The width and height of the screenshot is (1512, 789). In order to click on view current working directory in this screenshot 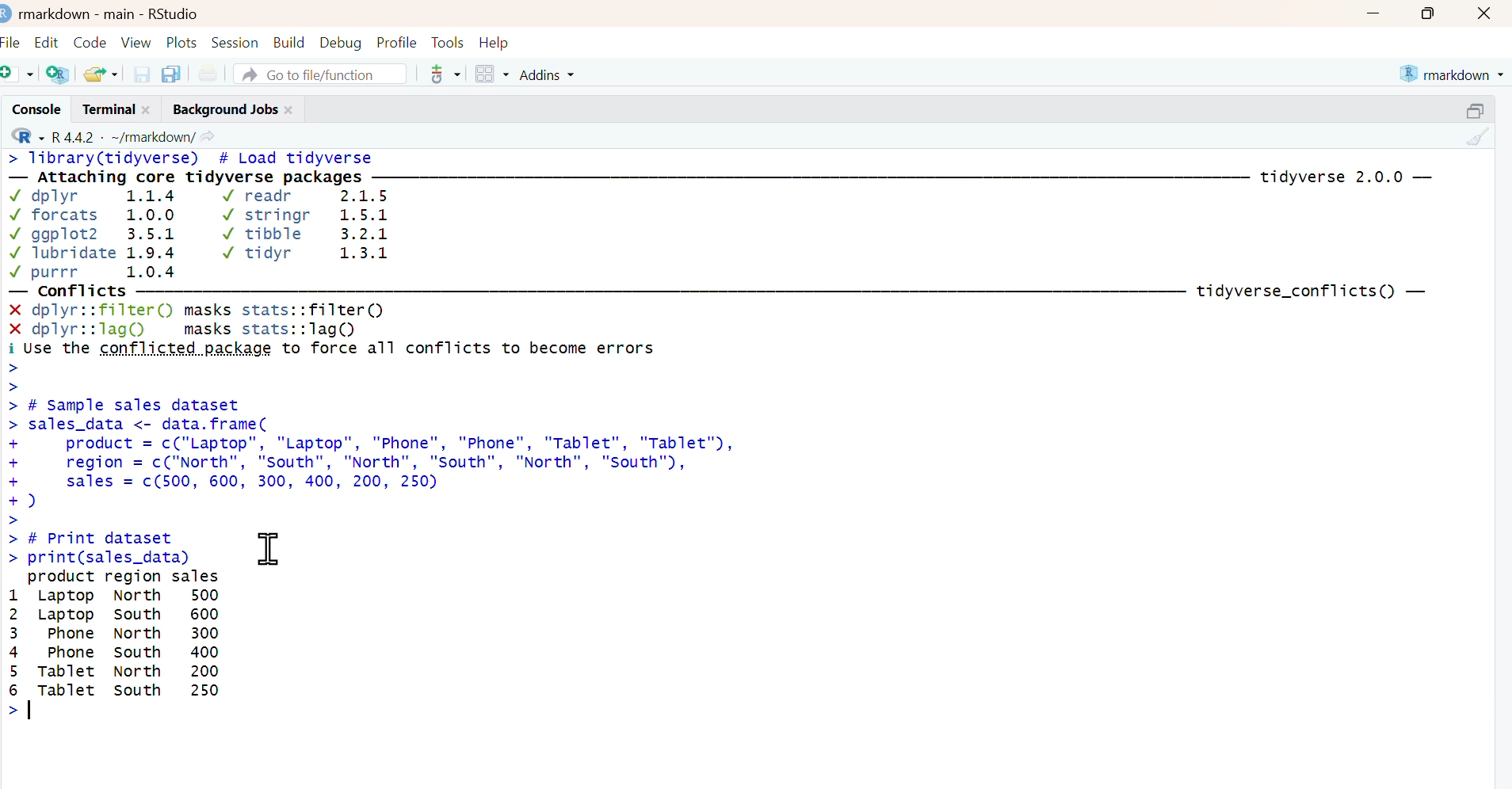, I will do `click(208, 135)`.